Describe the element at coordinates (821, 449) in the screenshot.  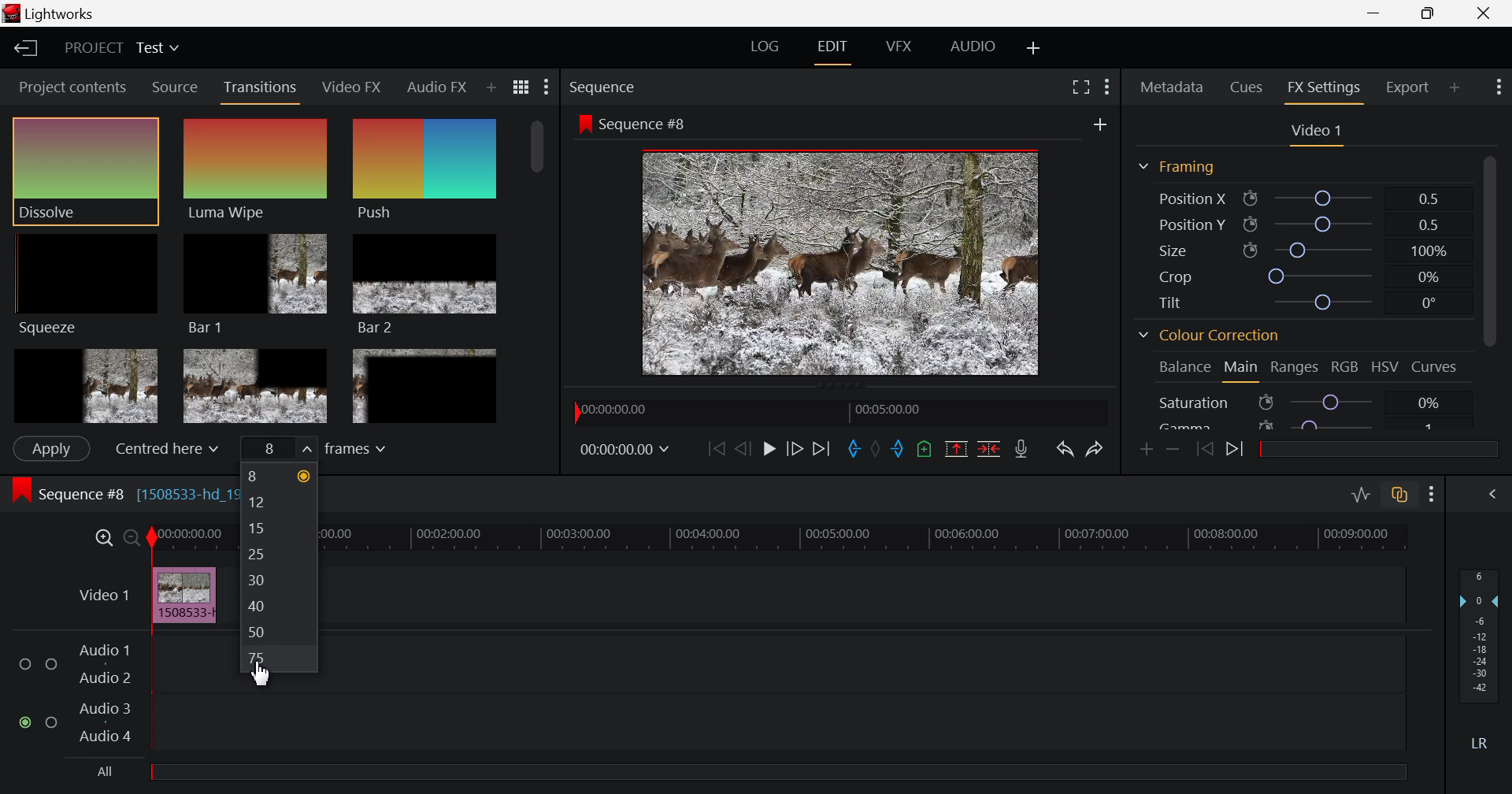
I see `To End` at that location.